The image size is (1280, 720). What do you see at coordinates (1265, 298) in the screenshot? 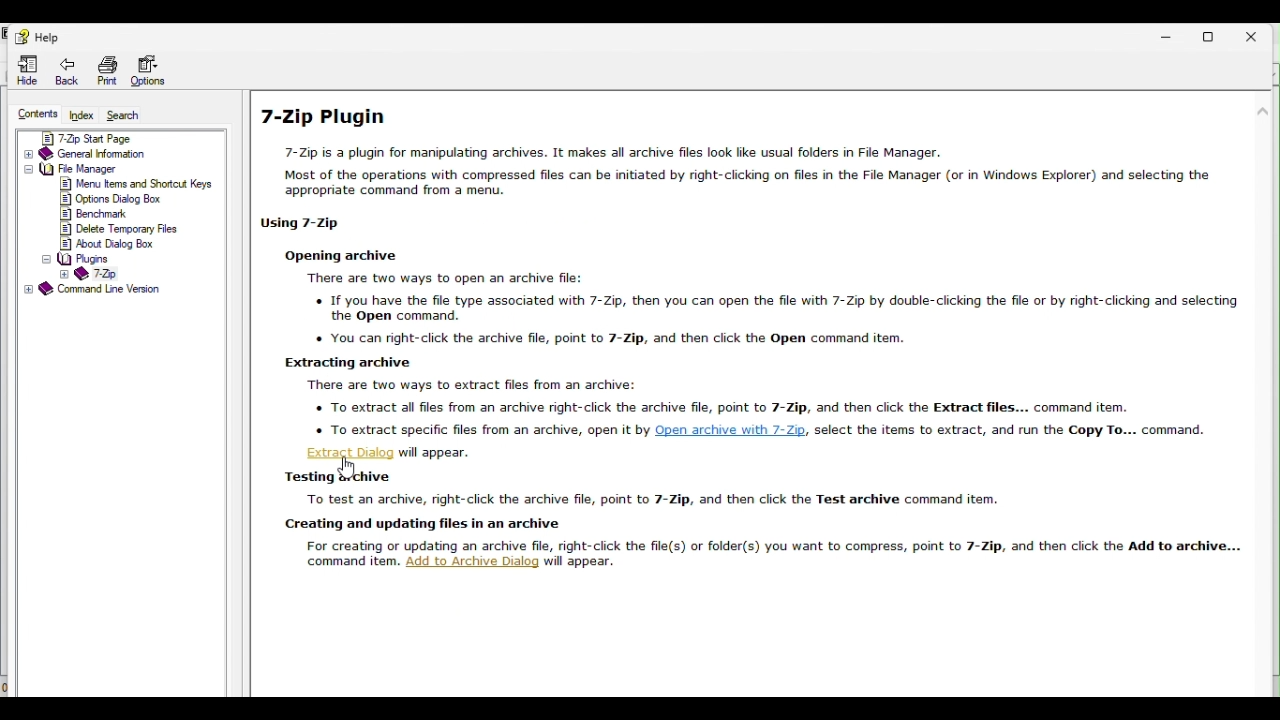
I see `scroll bar` at bounding box center [1265, 298].